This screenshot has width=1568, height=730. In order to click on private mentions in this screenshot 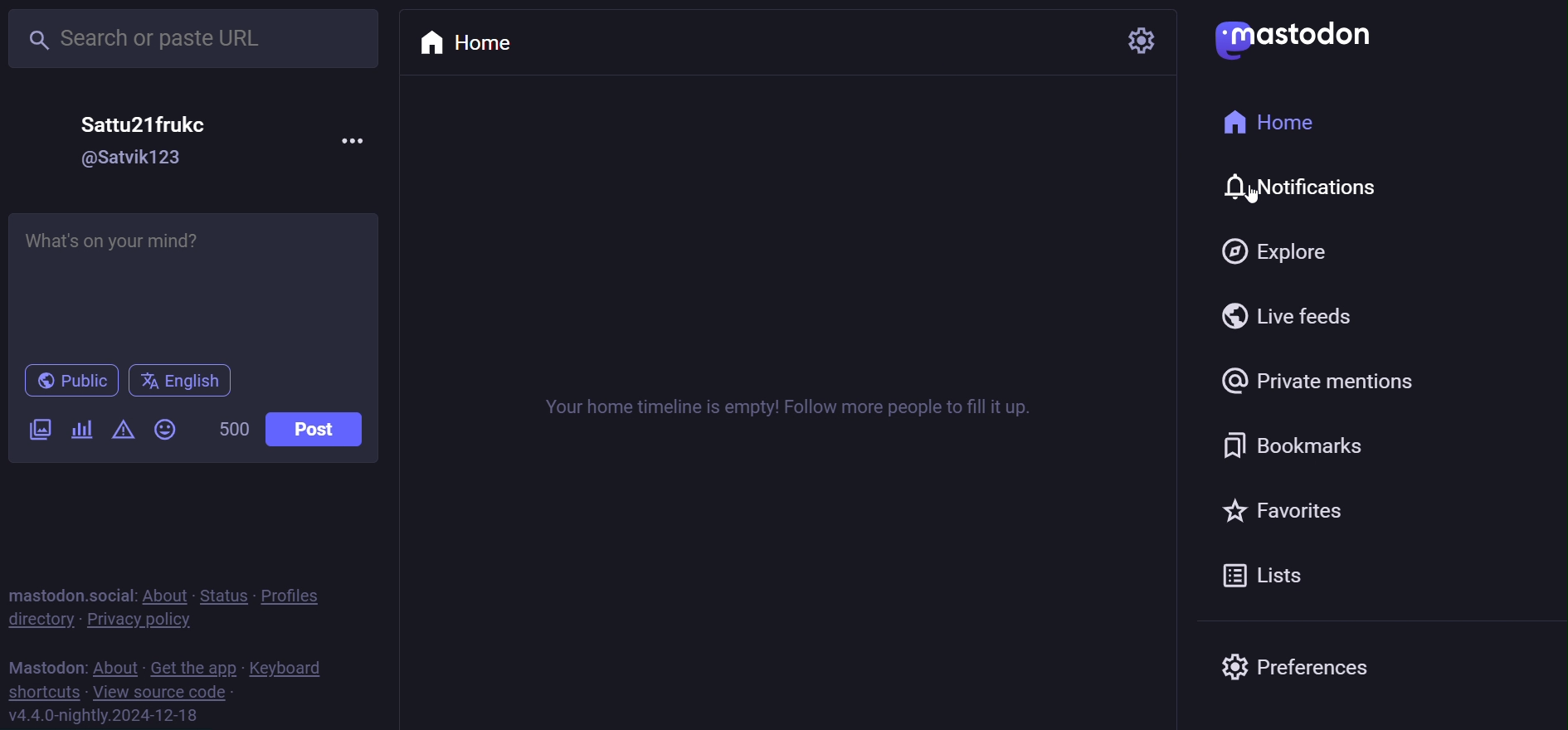, I will do `click(1319, 380)`.